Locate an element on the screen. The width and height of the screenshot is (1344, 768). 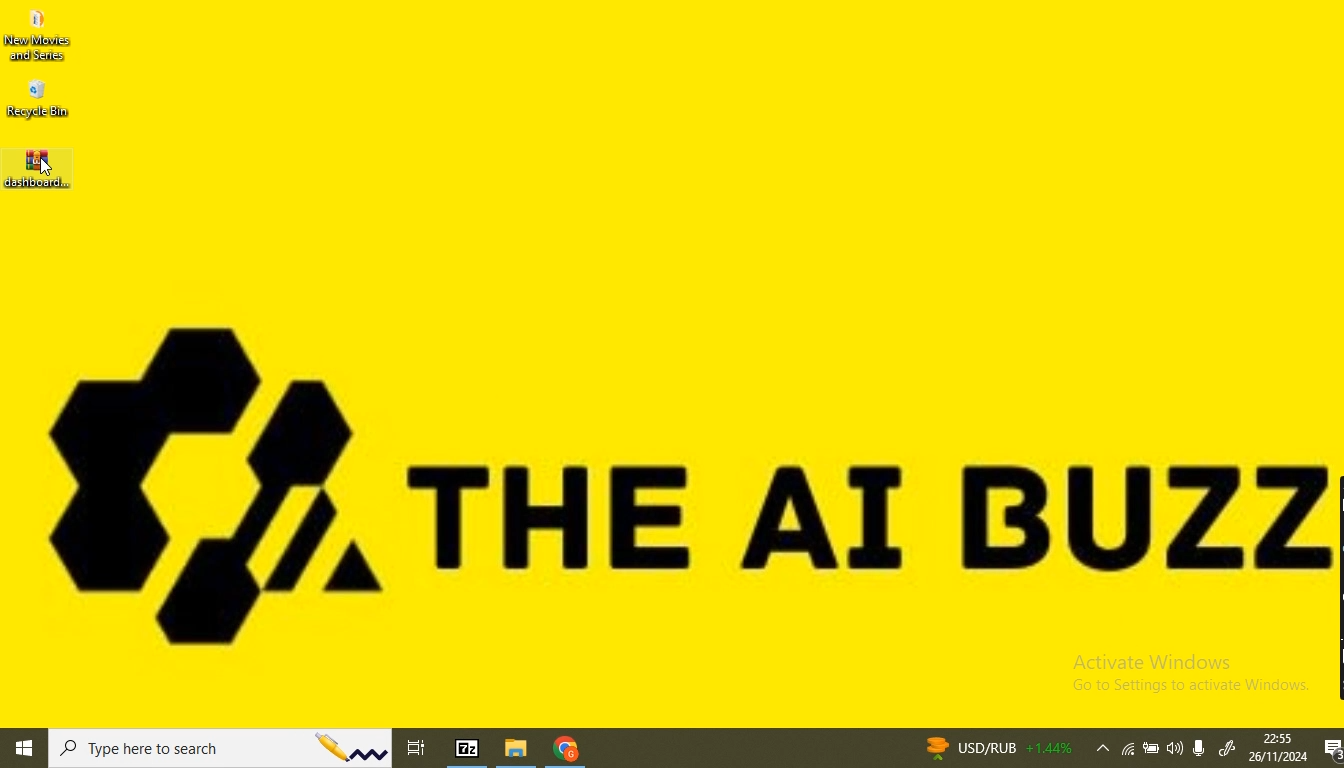
news currency rate is located at coordinates (996, 747).